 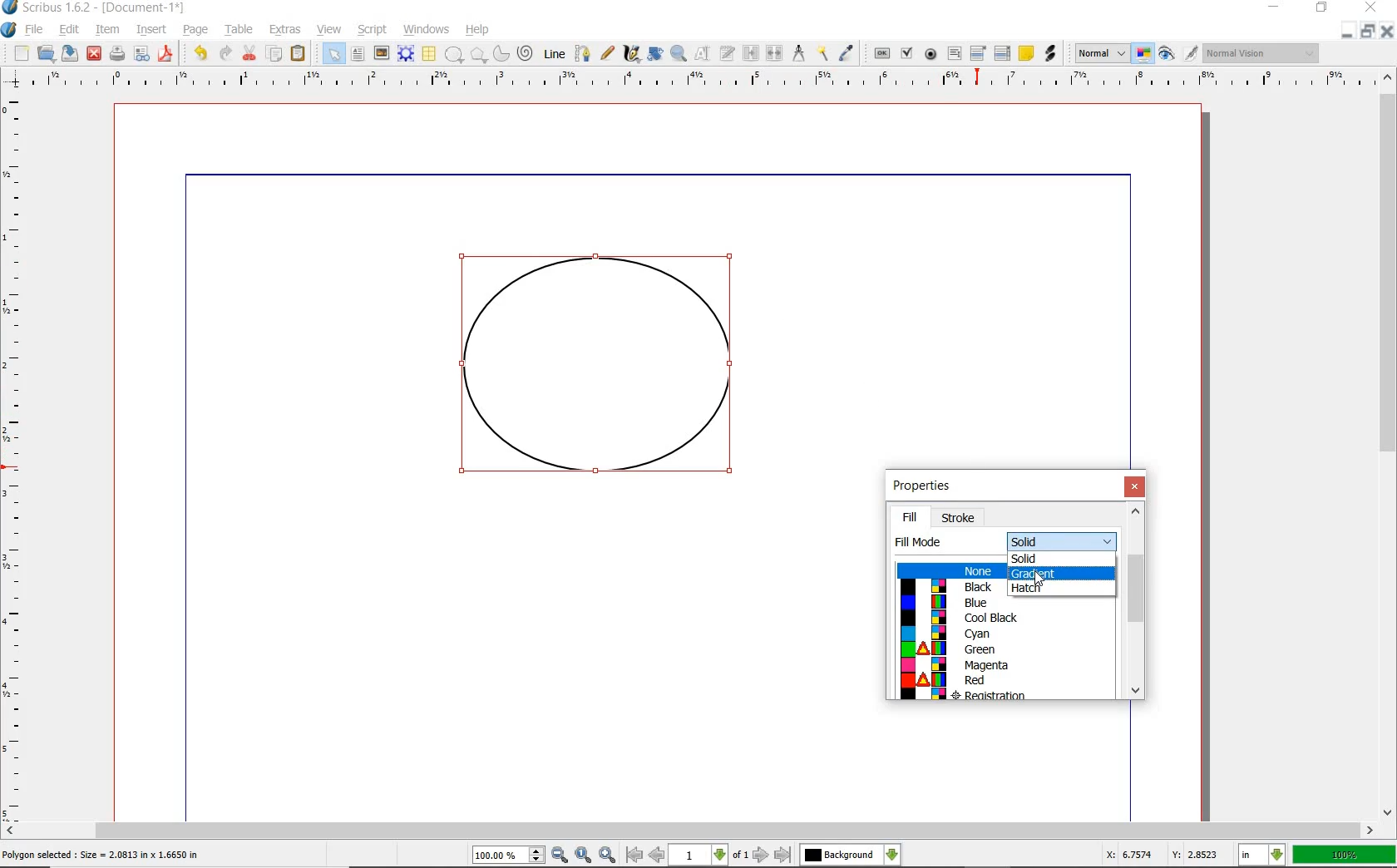 What do you see at coordinates (931, 53) in the screenshot?
I see `PDF RADIO BUTTON` at bounding box center [931, 53].